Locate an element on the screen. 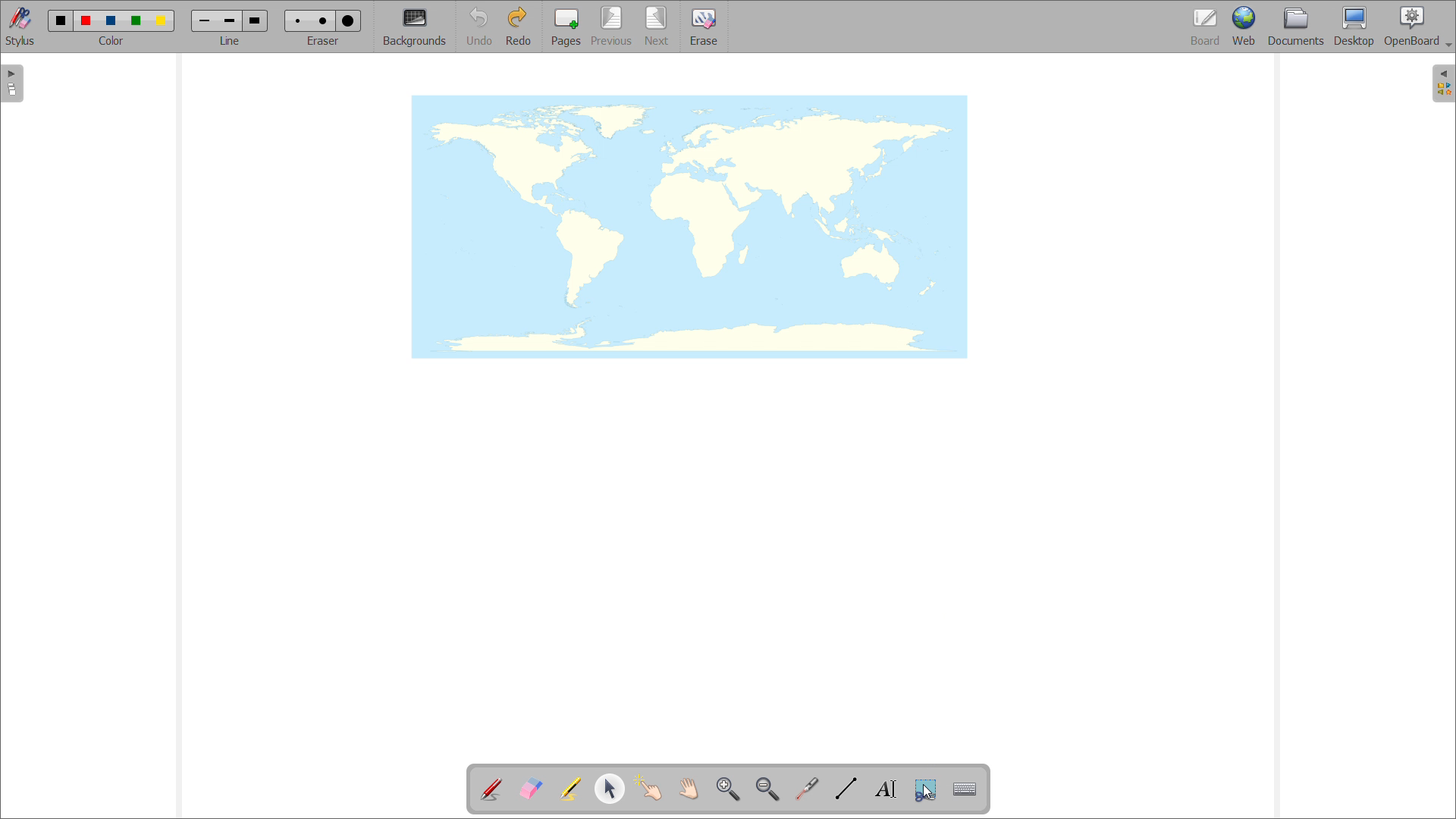 Image resolution: width=1456 pixels, height=819 pixels. redo is located at coordinates (518, 26).